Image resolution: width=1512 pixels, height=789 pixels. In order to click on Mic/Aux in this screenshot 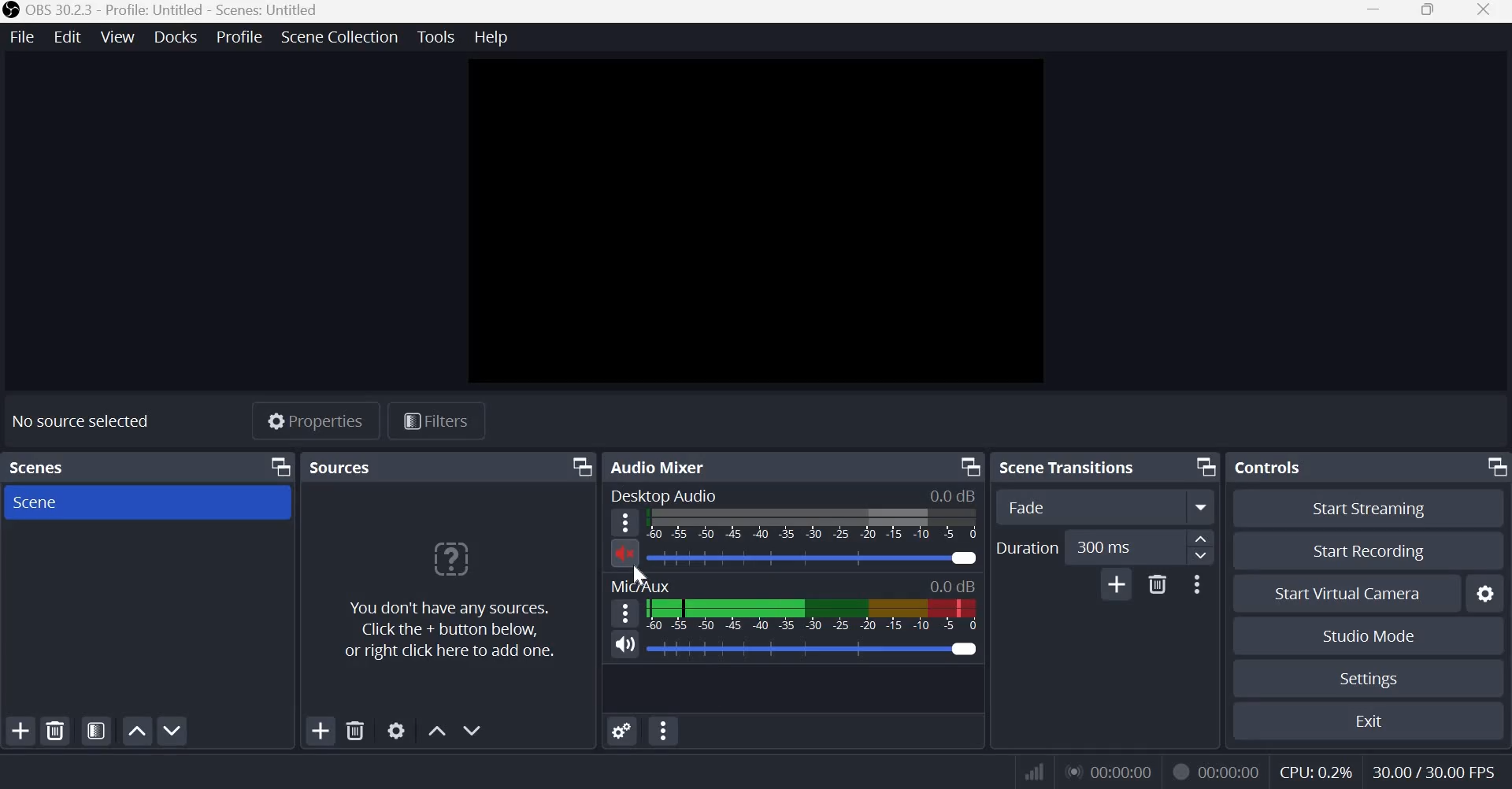, I will do `click(642, 586)`.